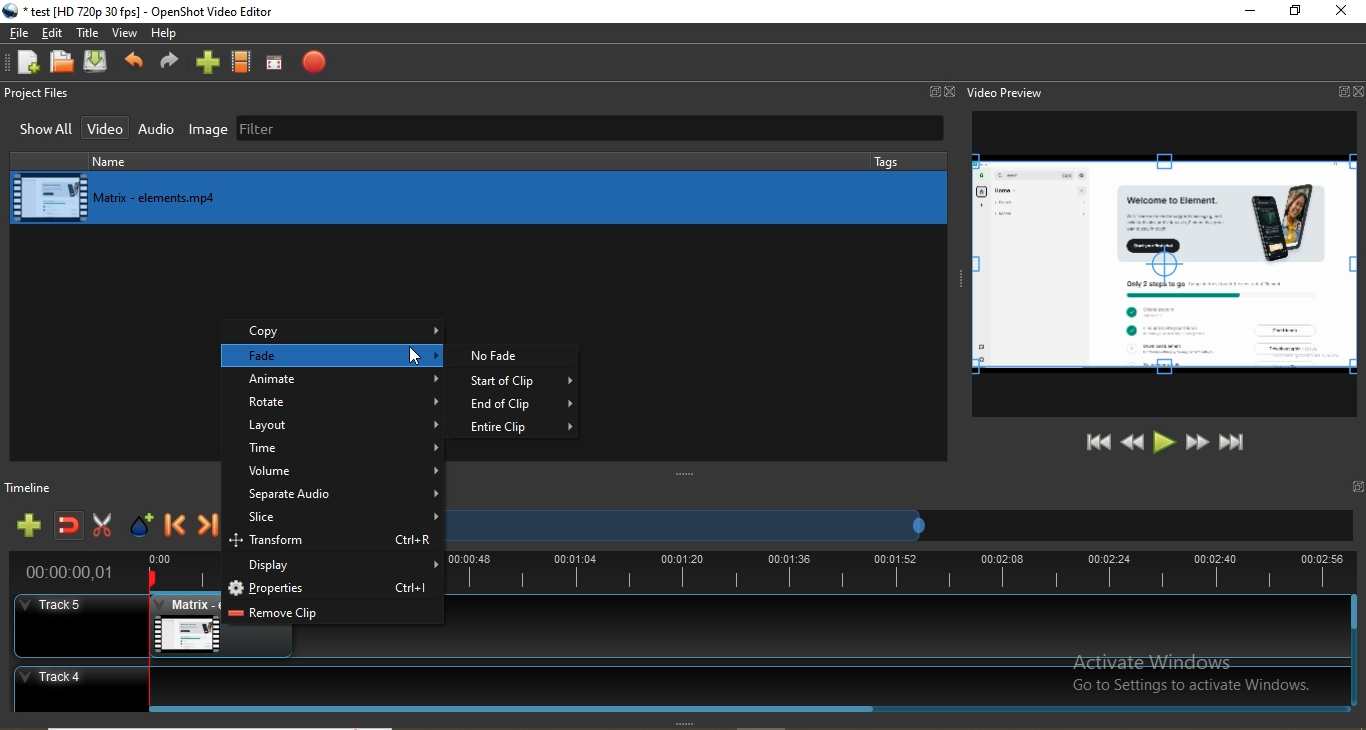 This screenshot has height=730, width=1366. What do you see at coordinates (1359, 92) in the screenshot?
I see `Close` at bounding box center [1359, 92].